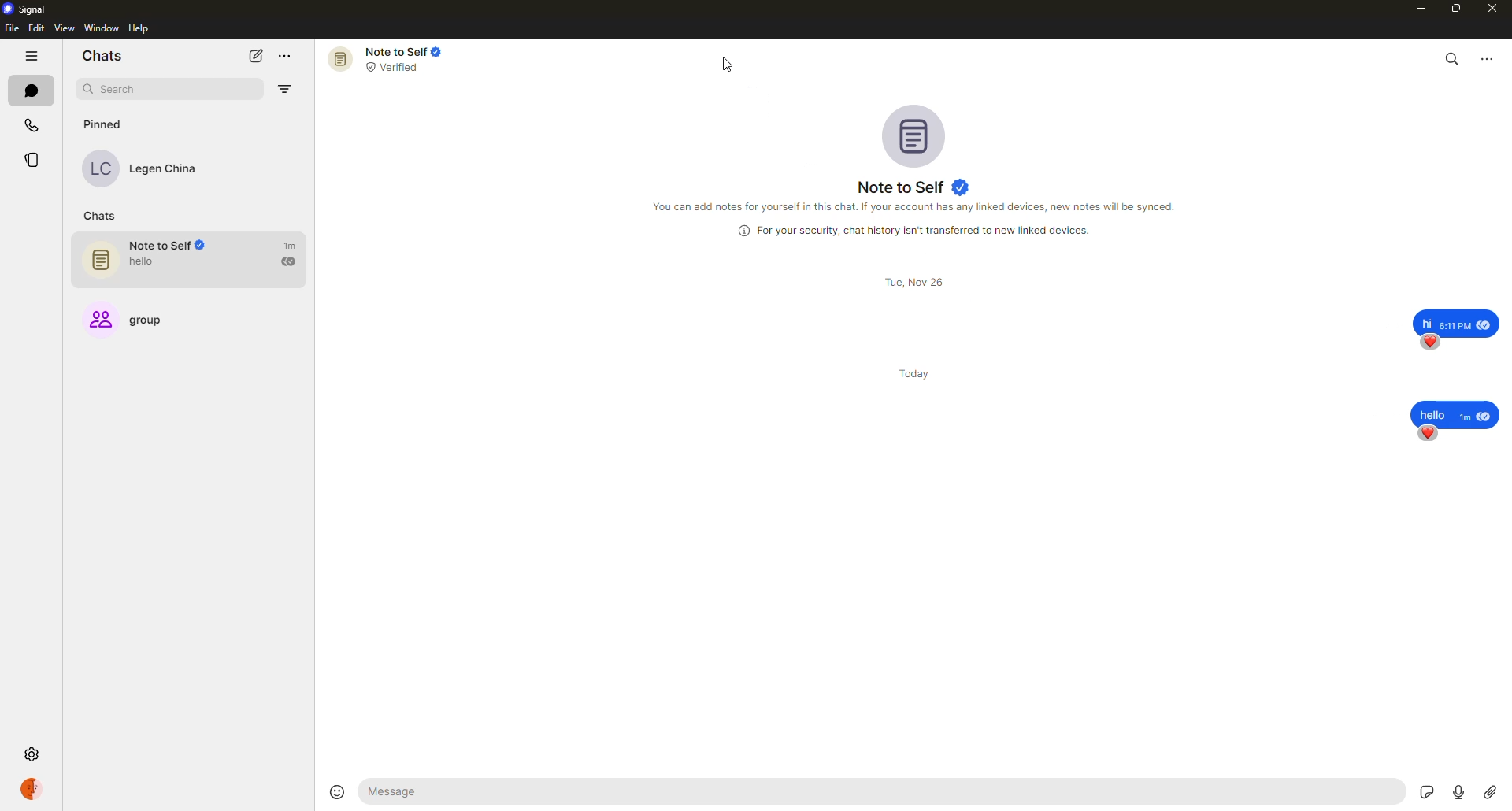  I want to click on new chat, so click(255, 56).